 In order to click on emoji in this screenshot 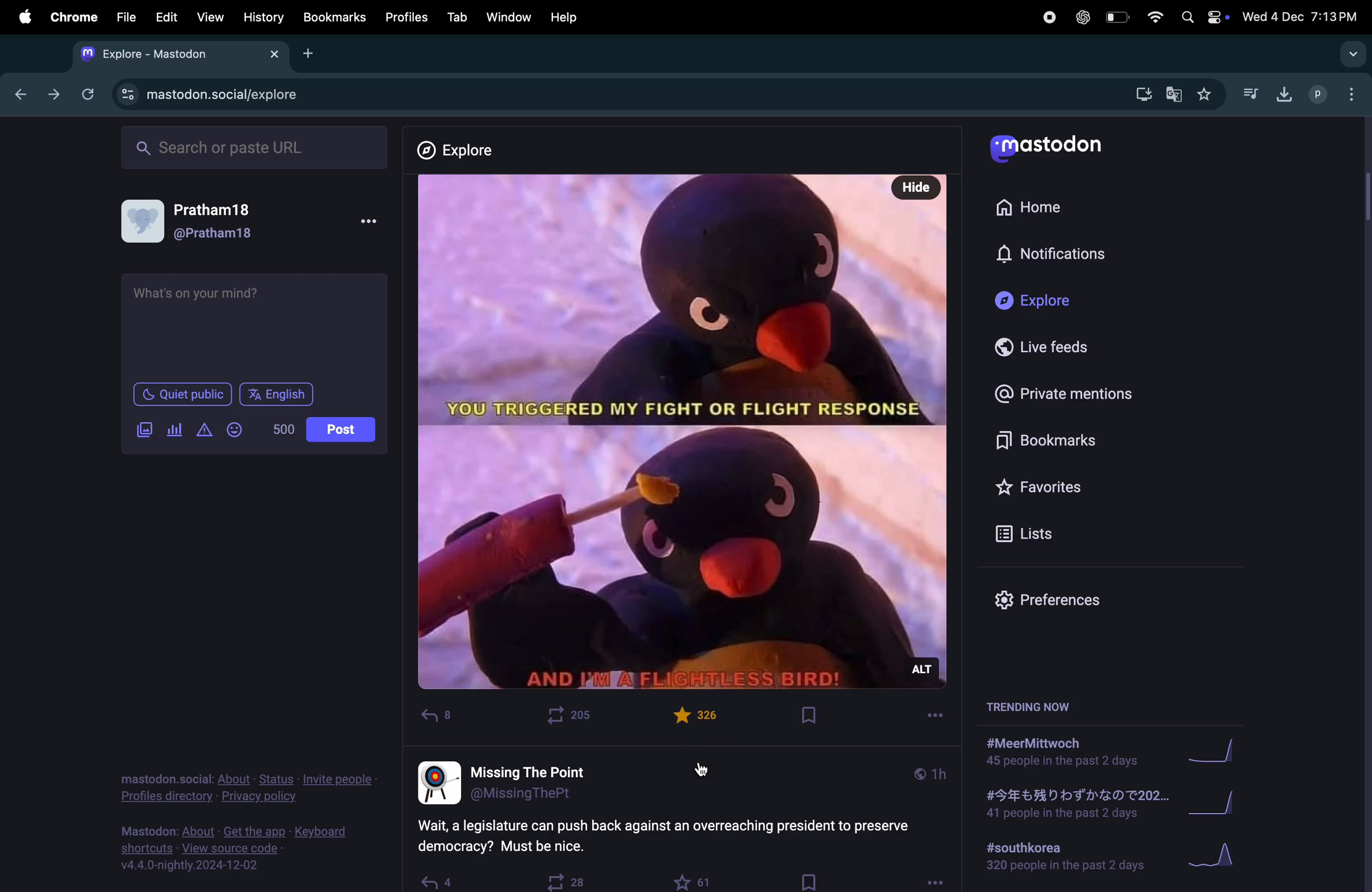, I will do `click(240, 429)`.